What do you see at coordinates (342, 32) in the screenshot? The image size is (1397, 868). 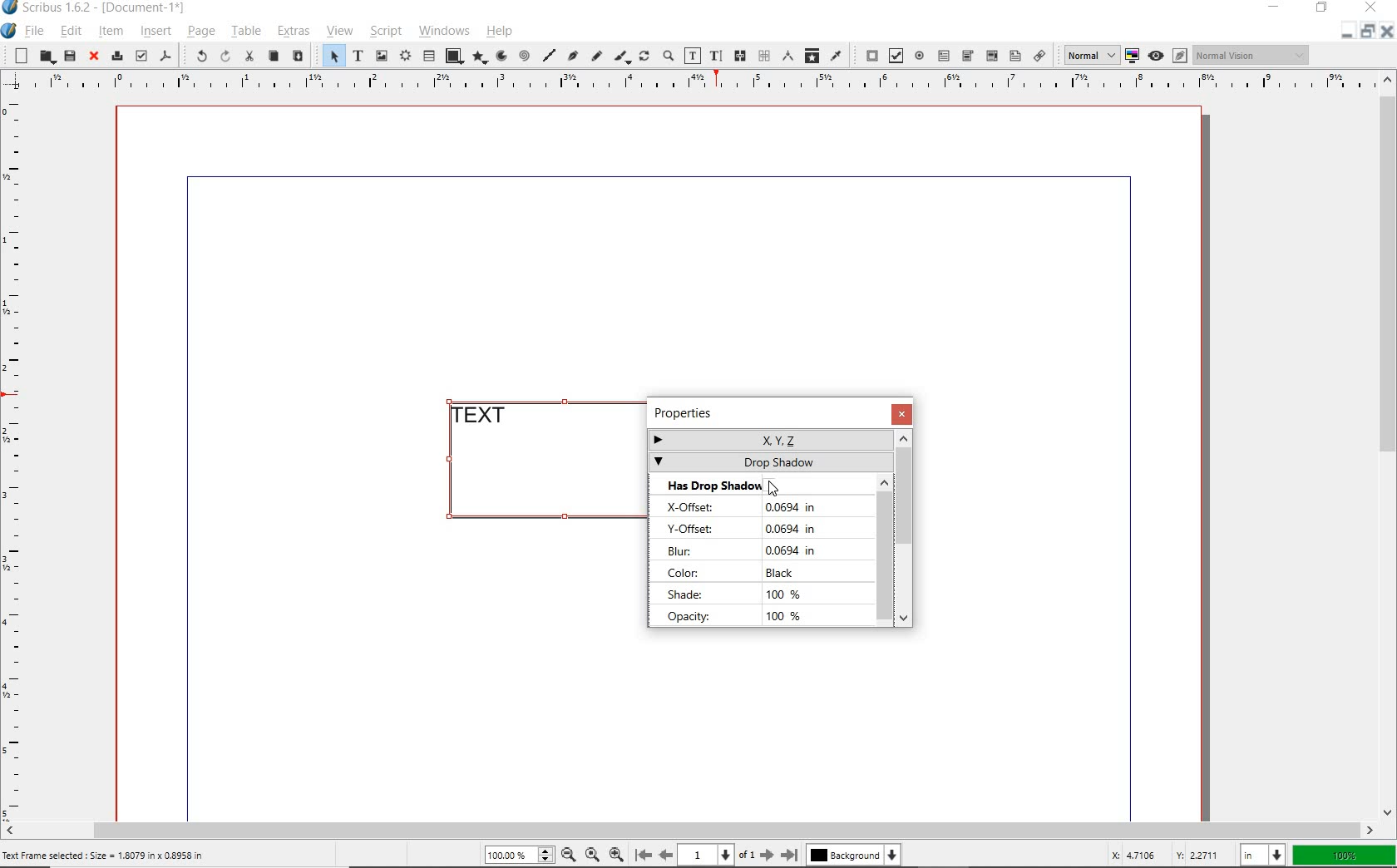 I see `view` at bounding box center [342, 32].